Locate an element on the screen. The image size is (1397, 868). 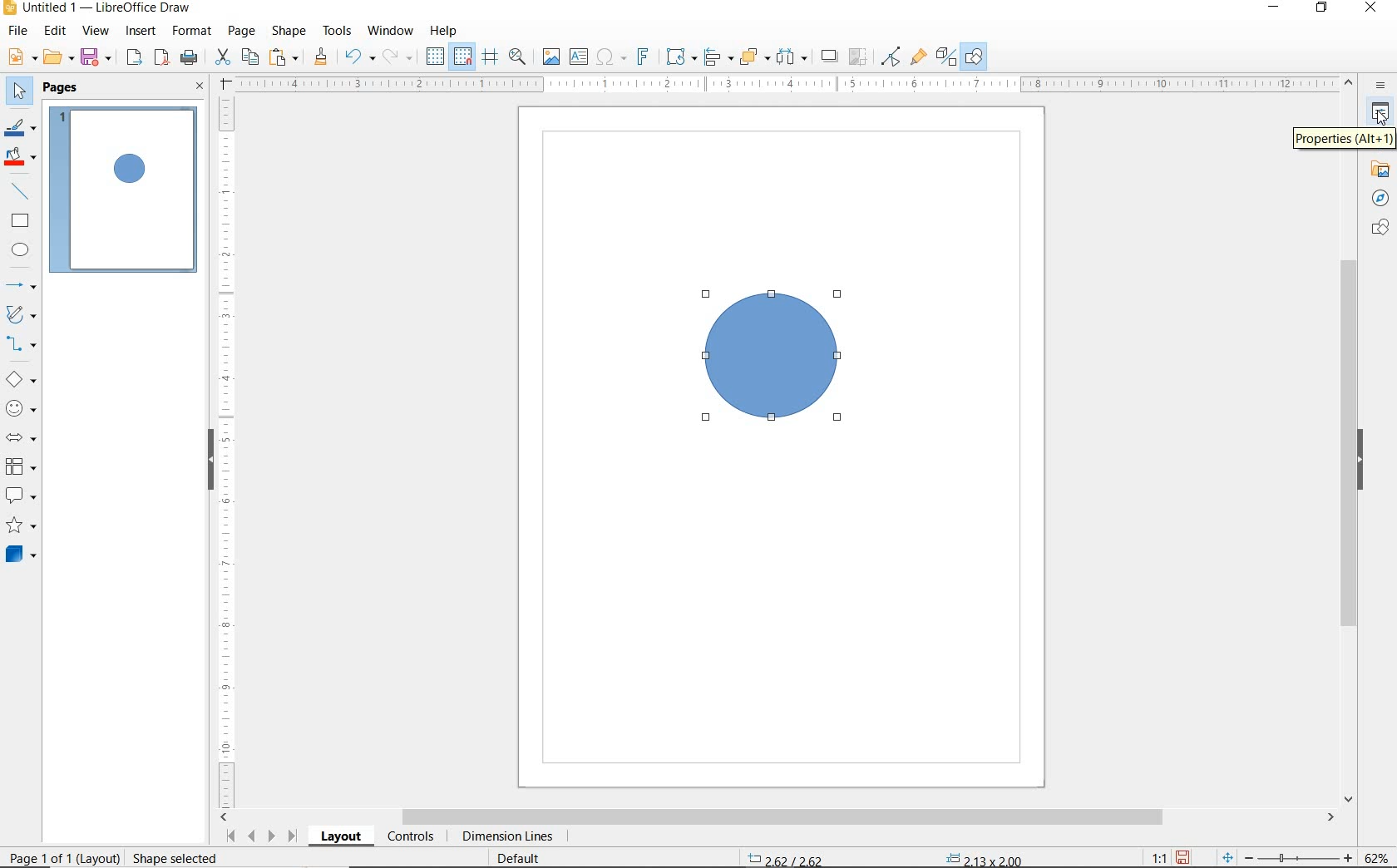
page 1 of 1 (layout) Shape selected is located at coordinates (118, 860).